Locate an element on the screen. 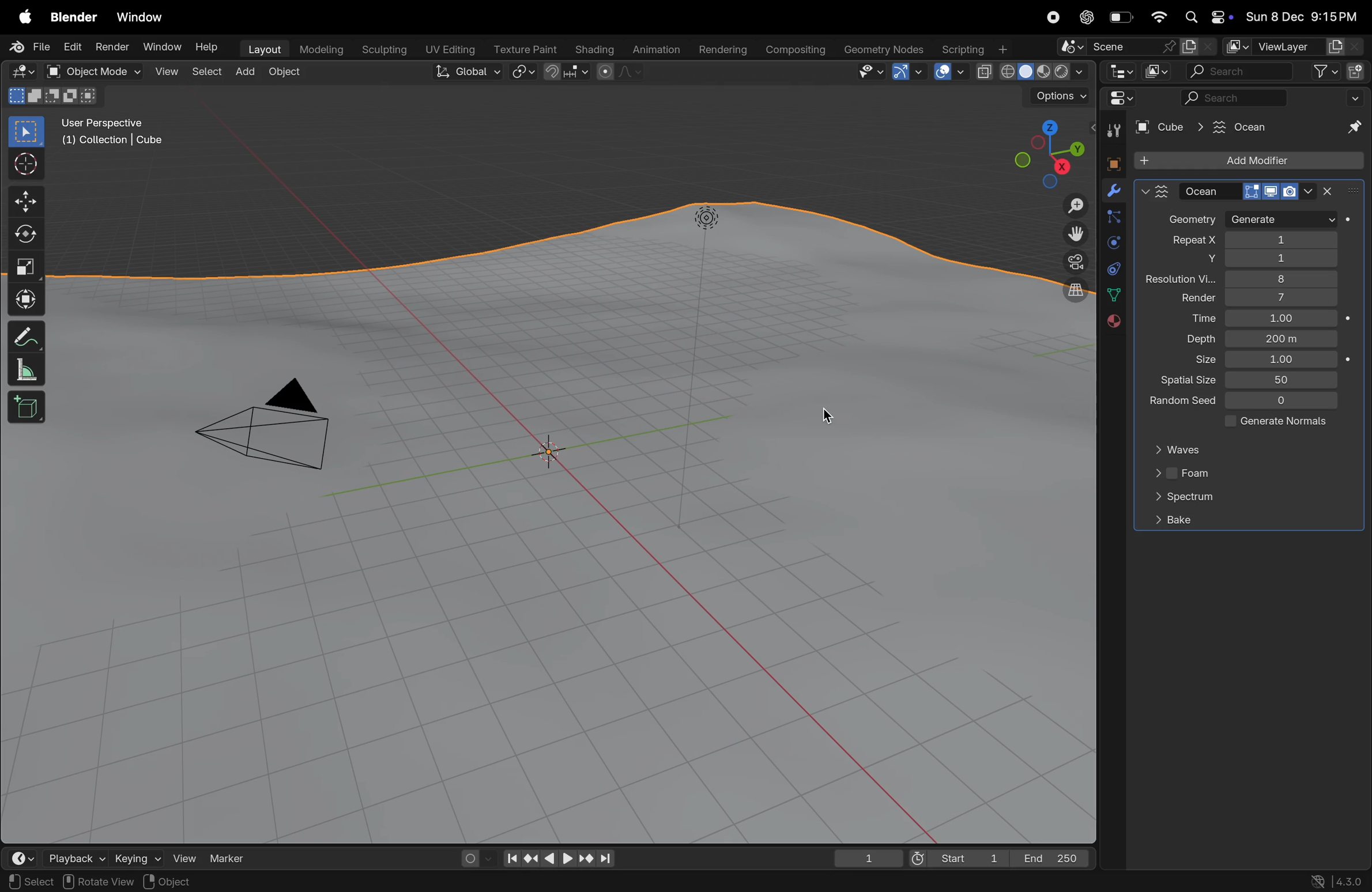 The width and height of the screenshot is (1372, 892). rotate is located at coordinates (26, 236).